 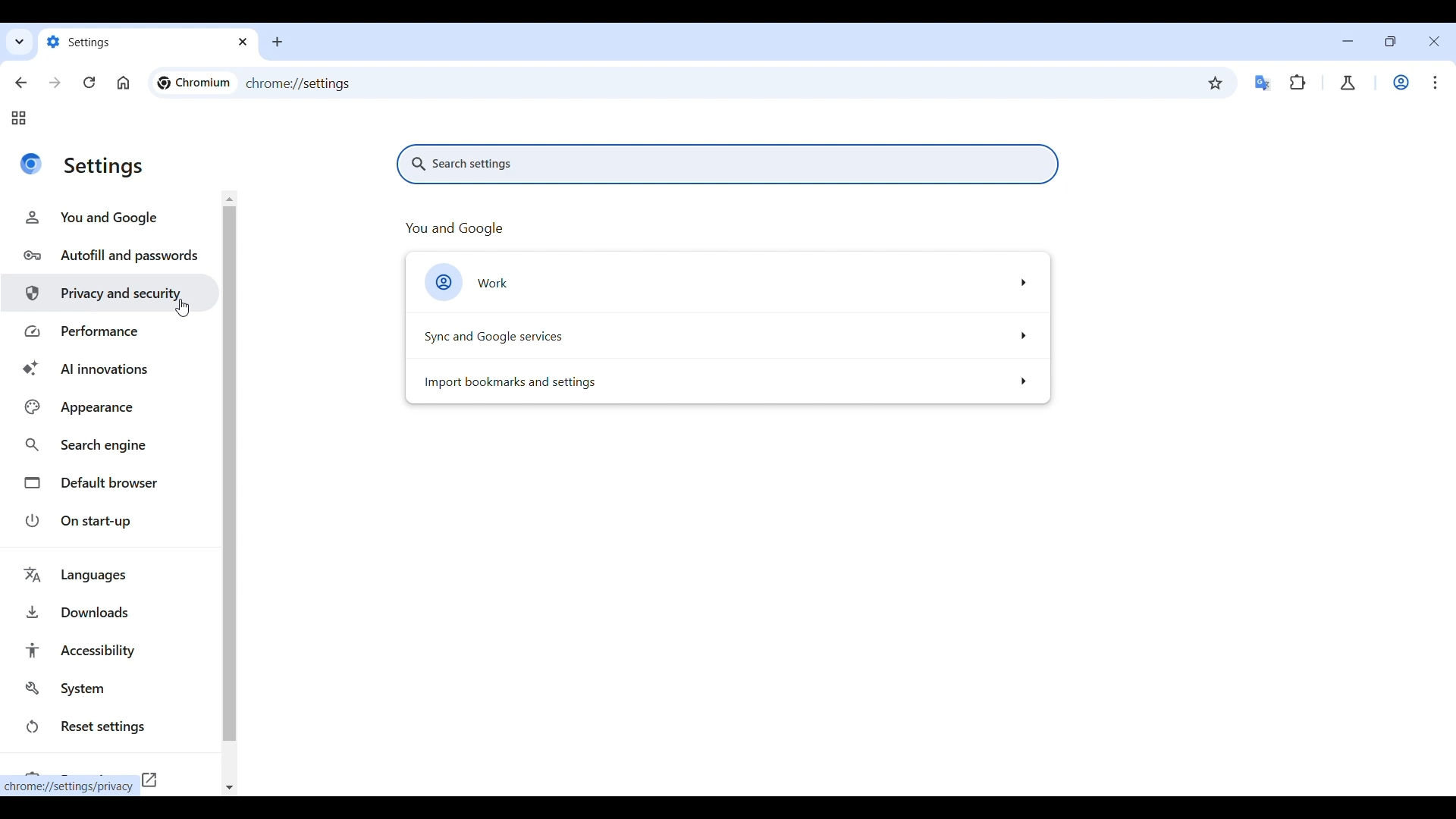 I want to click on Show interface in a smaller tab, so click(x=1391, y=41).